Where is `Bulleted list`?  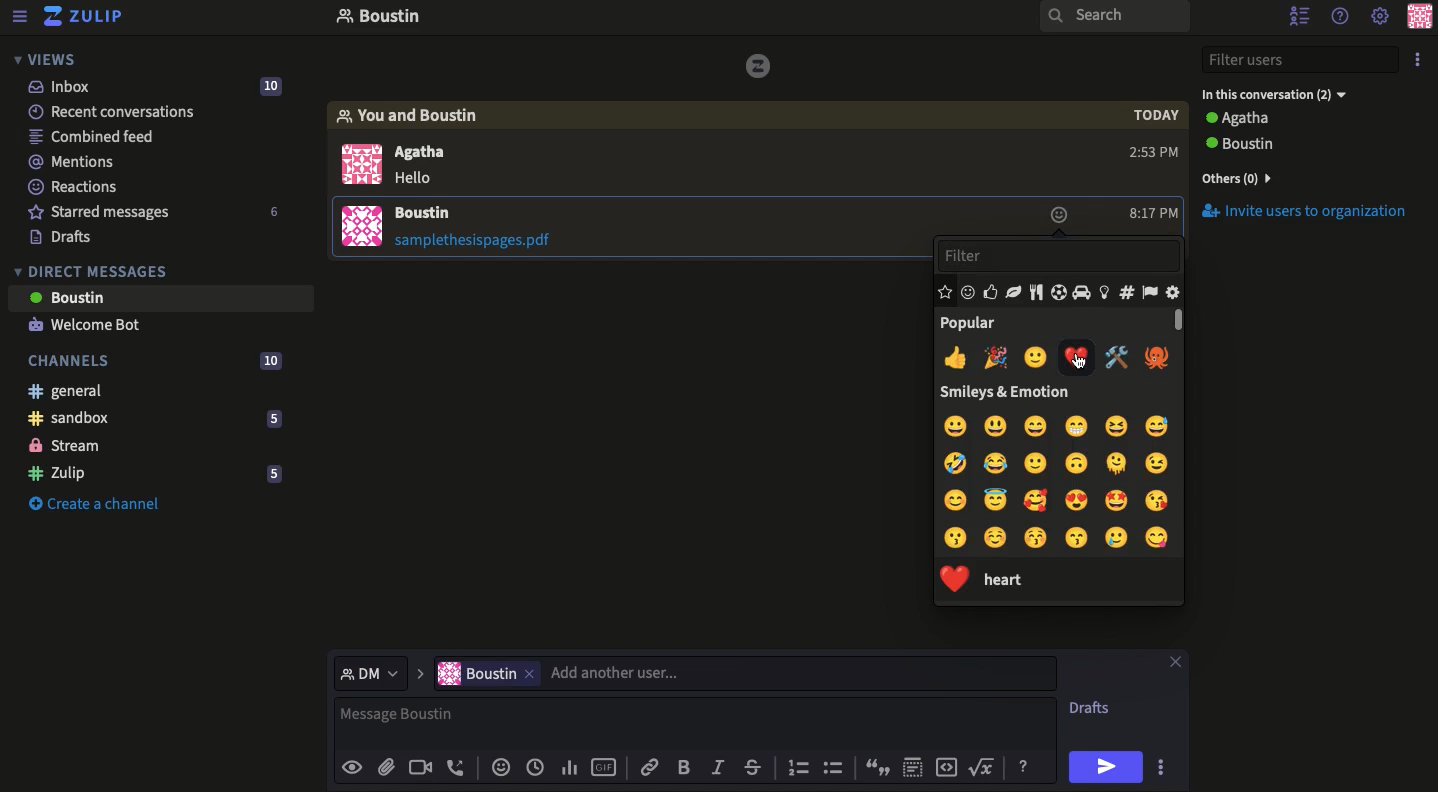
Bulleted list is located at coordinates (834, 767).